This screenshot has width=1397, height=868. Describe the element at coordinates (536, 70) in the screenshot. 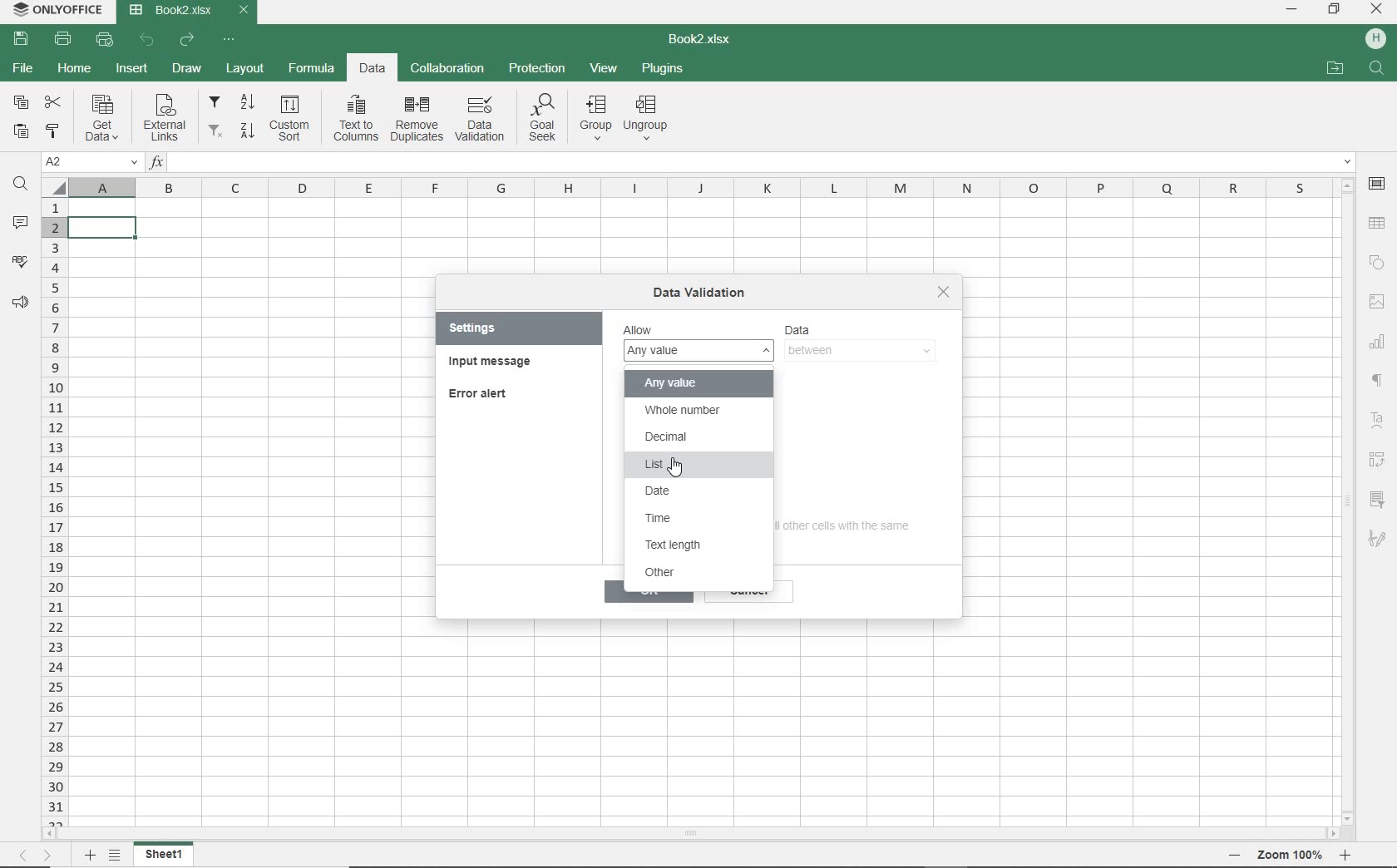

I see `PROTECTION` at that location.